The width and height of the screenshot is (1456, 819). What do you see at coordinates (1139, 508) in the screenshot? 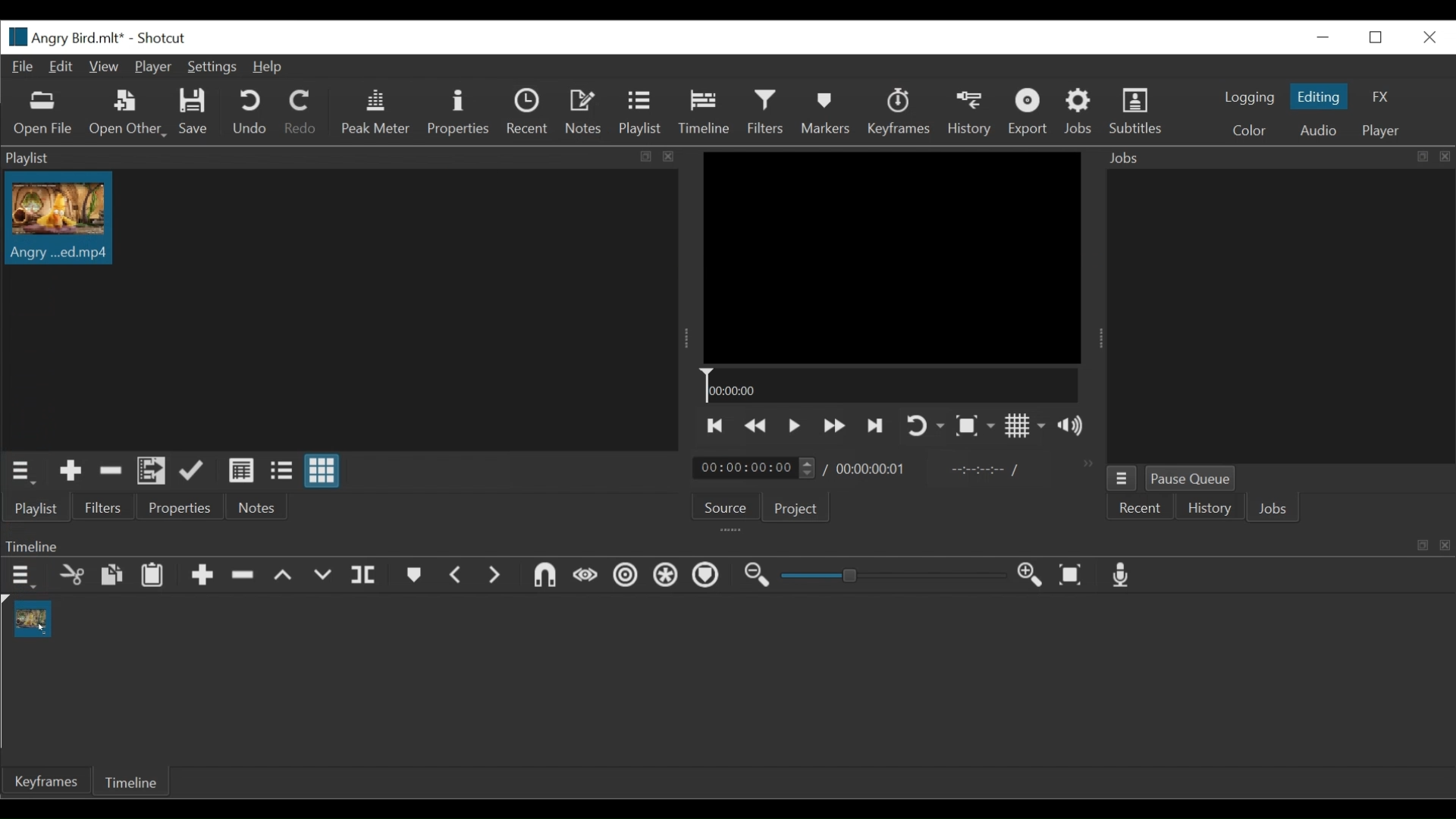
I see `Recent` at bounding box center [1139, 508].